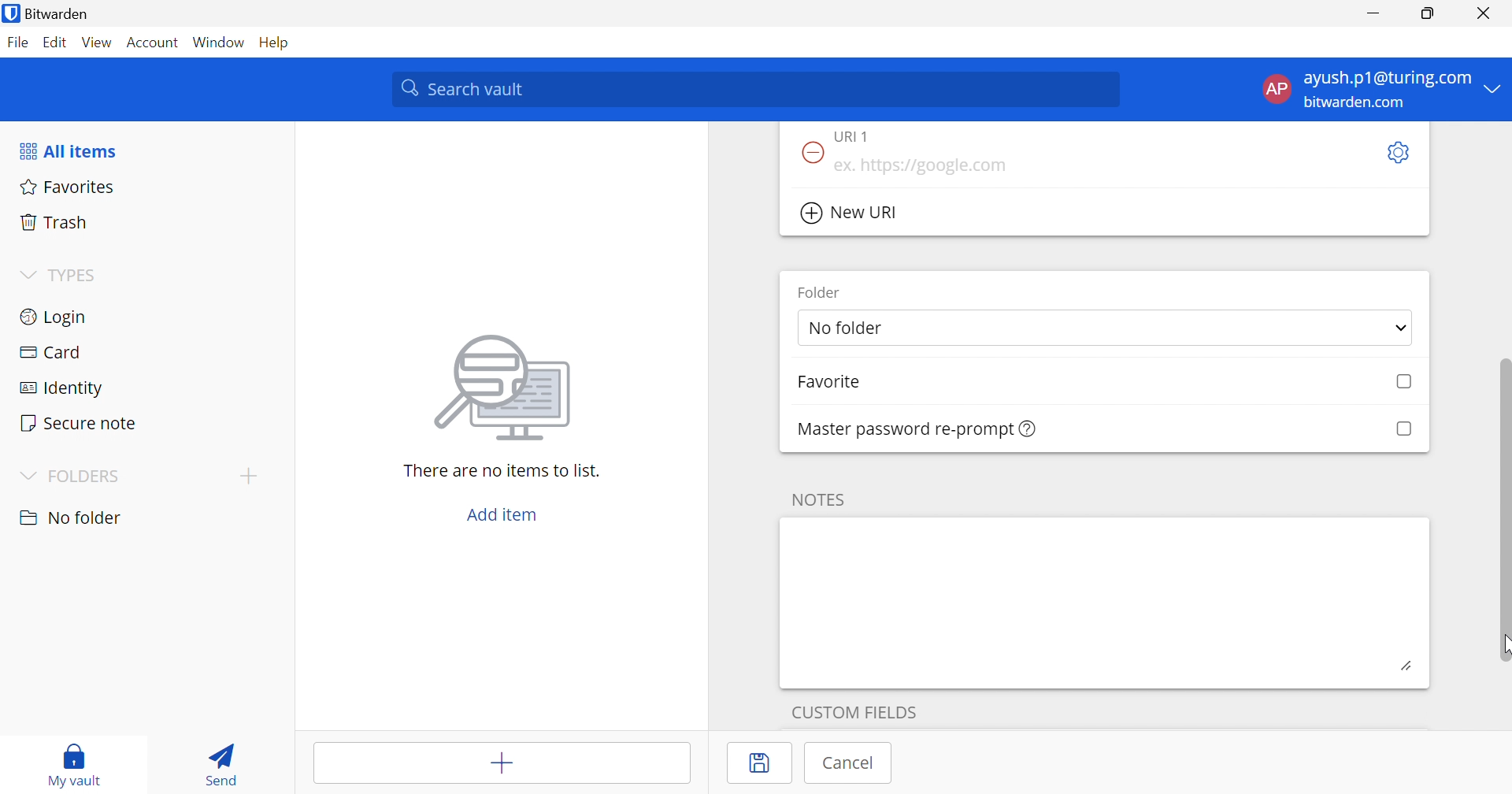 The width and height of the screenshot is (1512, 794). I want to click on AP, so click(1275, 92).